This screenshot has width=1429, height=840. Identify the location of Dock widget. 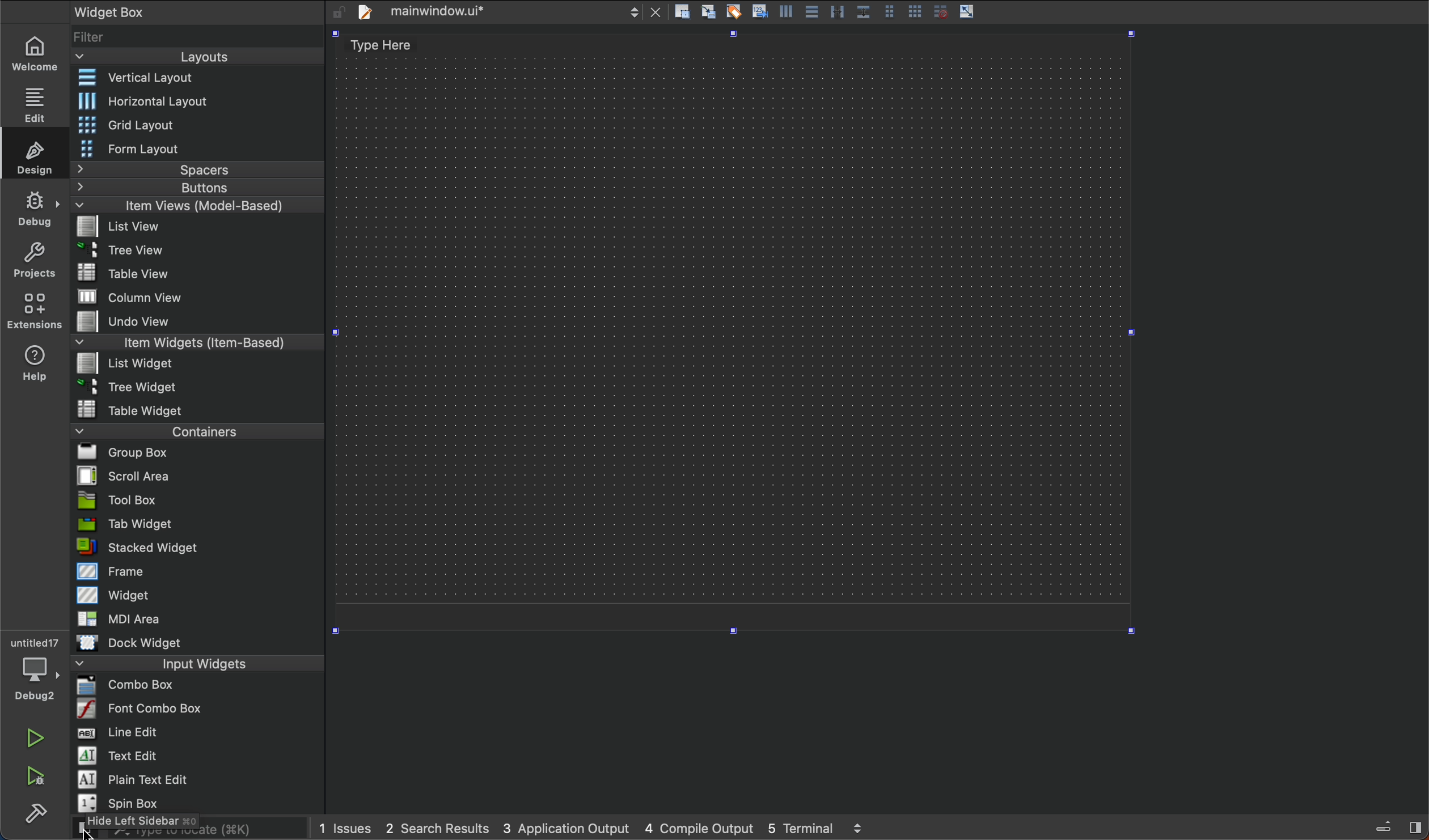
(137, 643).